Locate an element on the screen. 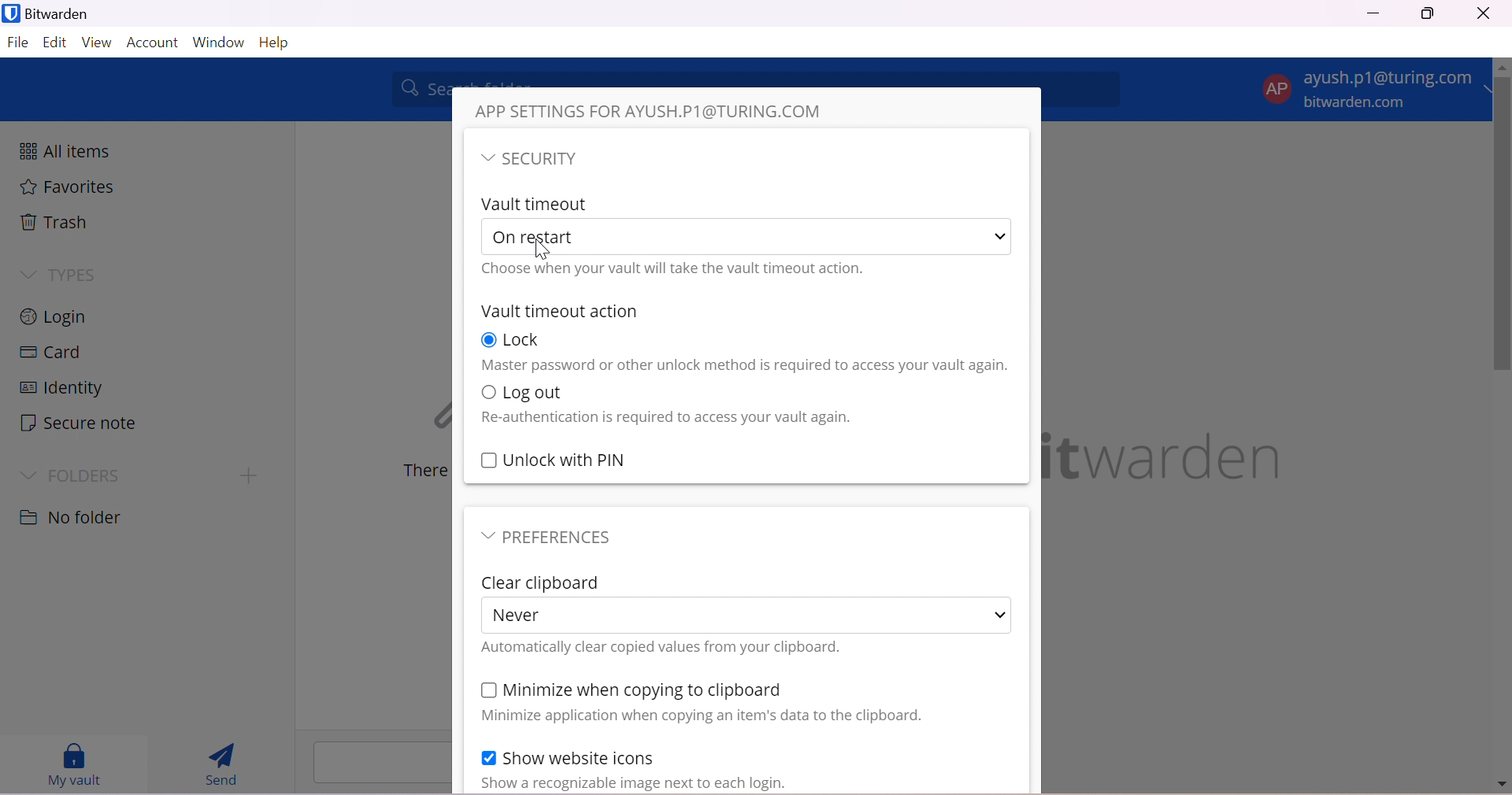  scrollbar is located at coordinates (1503, 227).